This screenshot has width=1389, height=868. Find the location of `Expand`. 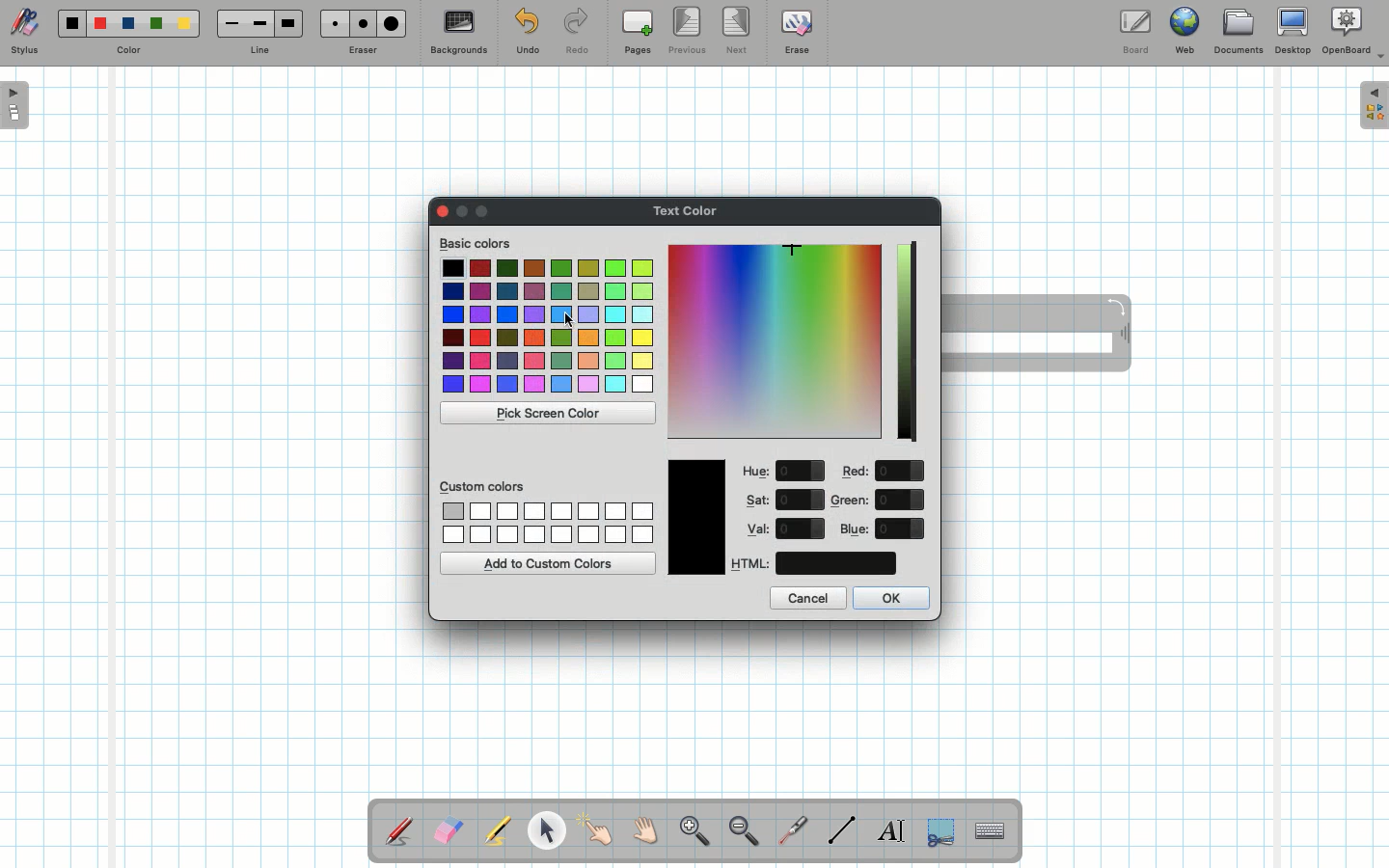

Expand is located at coordinates (1374, 105).